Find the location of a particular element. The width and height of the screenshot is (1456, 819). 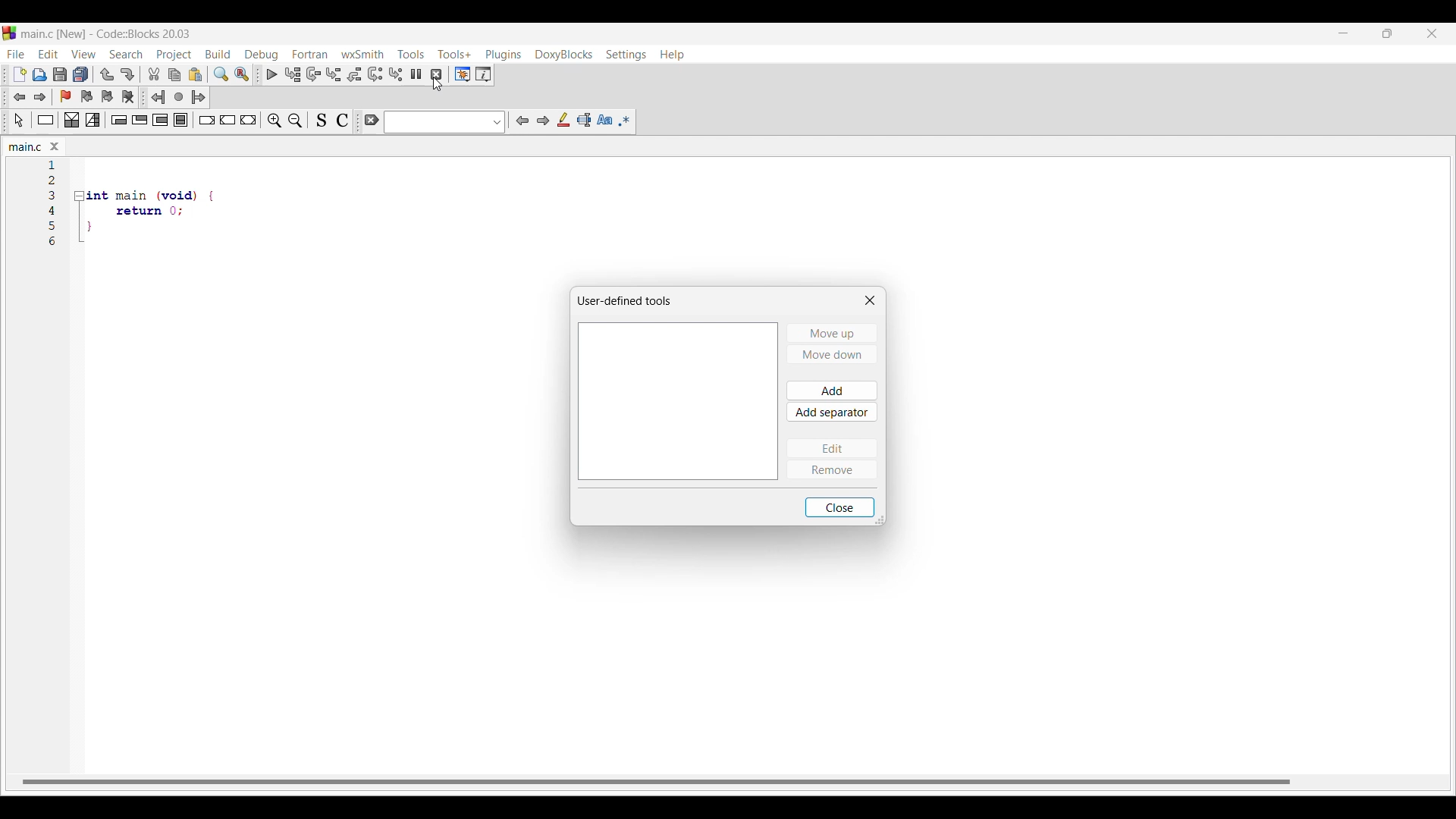

Highlight is located at coordinates (563, 120).